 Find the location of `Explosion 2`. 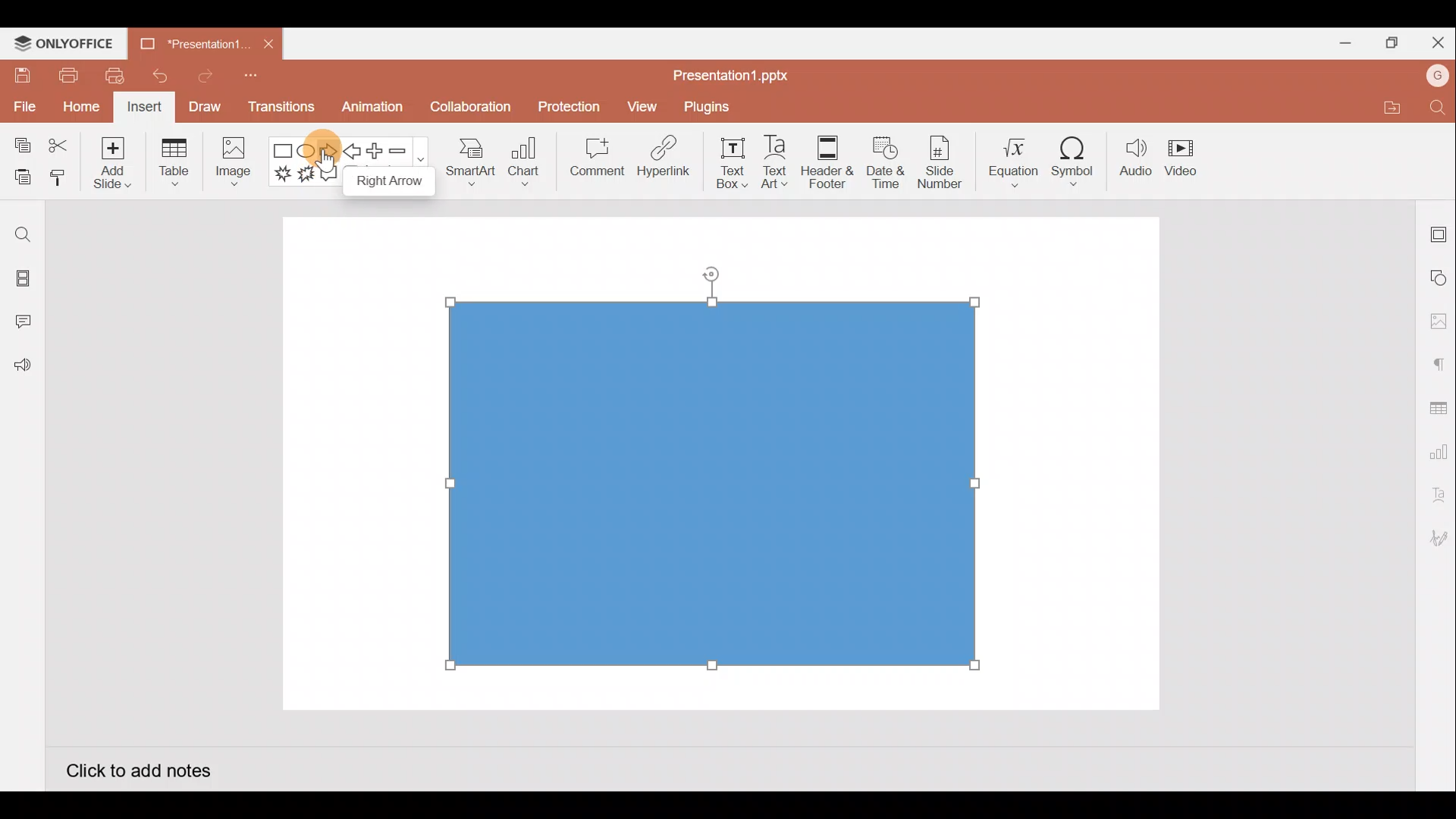

Explosion 2 is located at coordinates (306, 175).